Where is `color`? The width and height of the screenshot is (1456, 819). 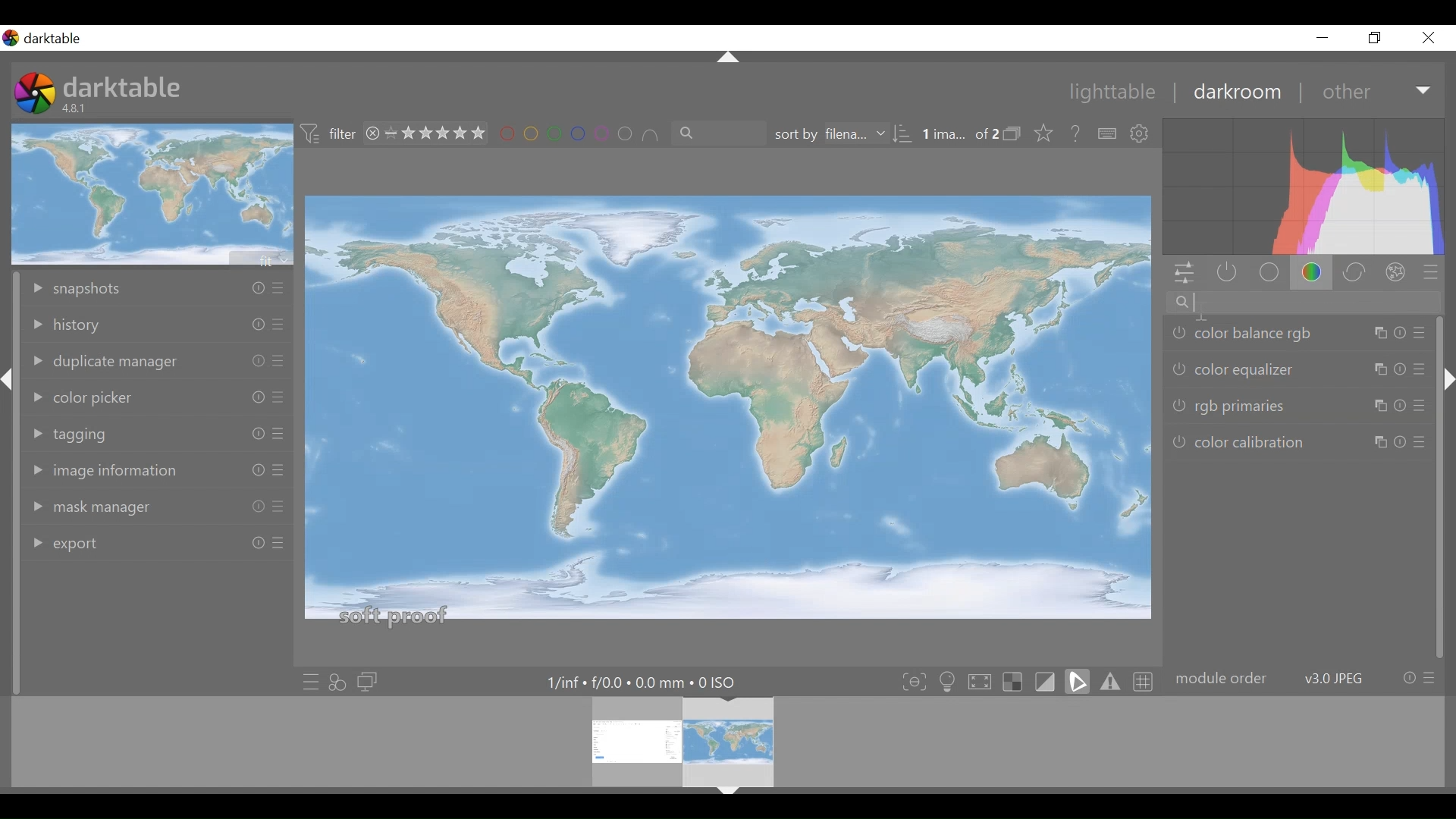 color is located at coordinates (1316, 274).